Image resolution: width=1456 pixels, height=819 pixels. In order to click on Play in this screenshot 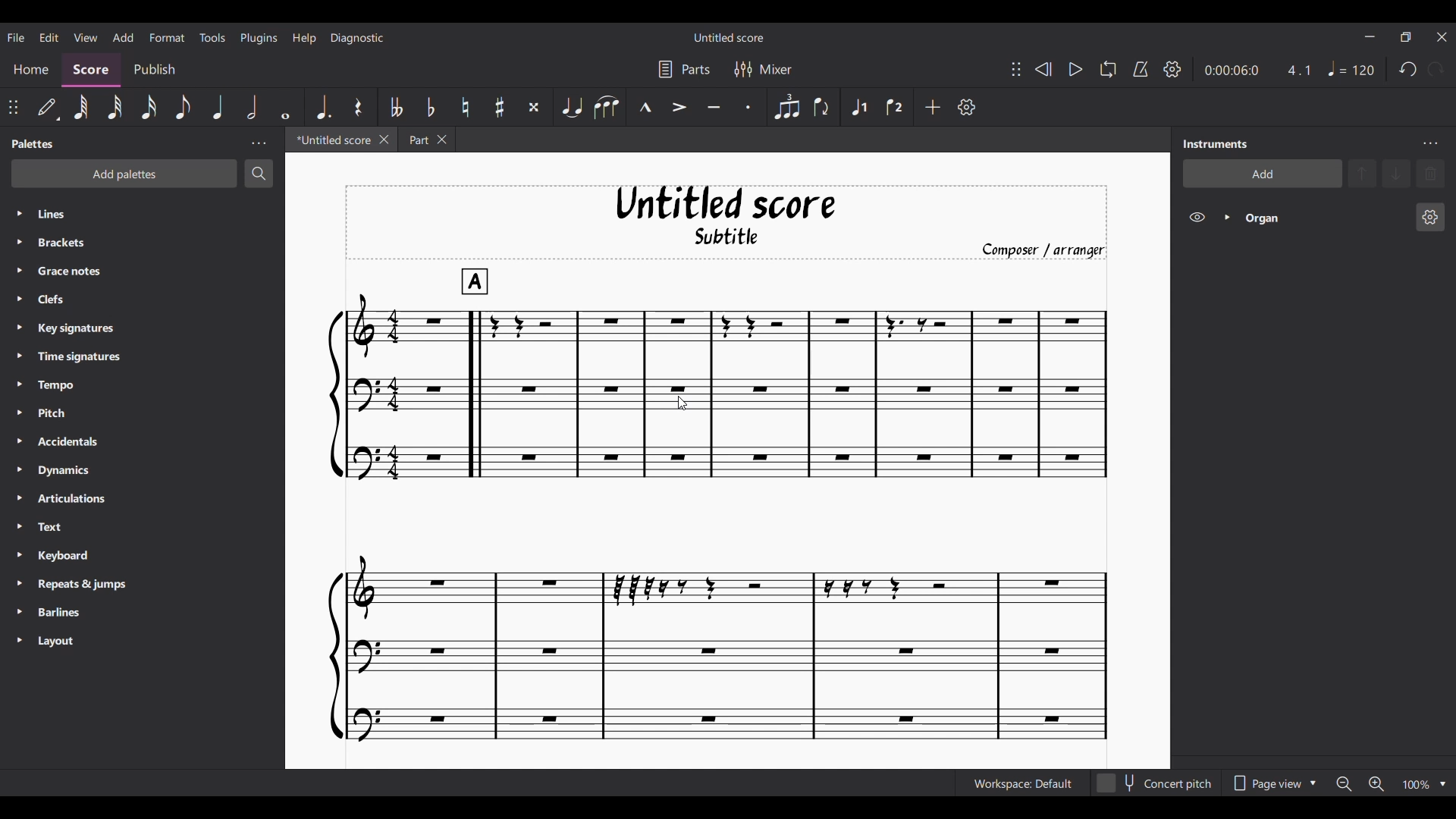, I will do `click(1075, 70)`.